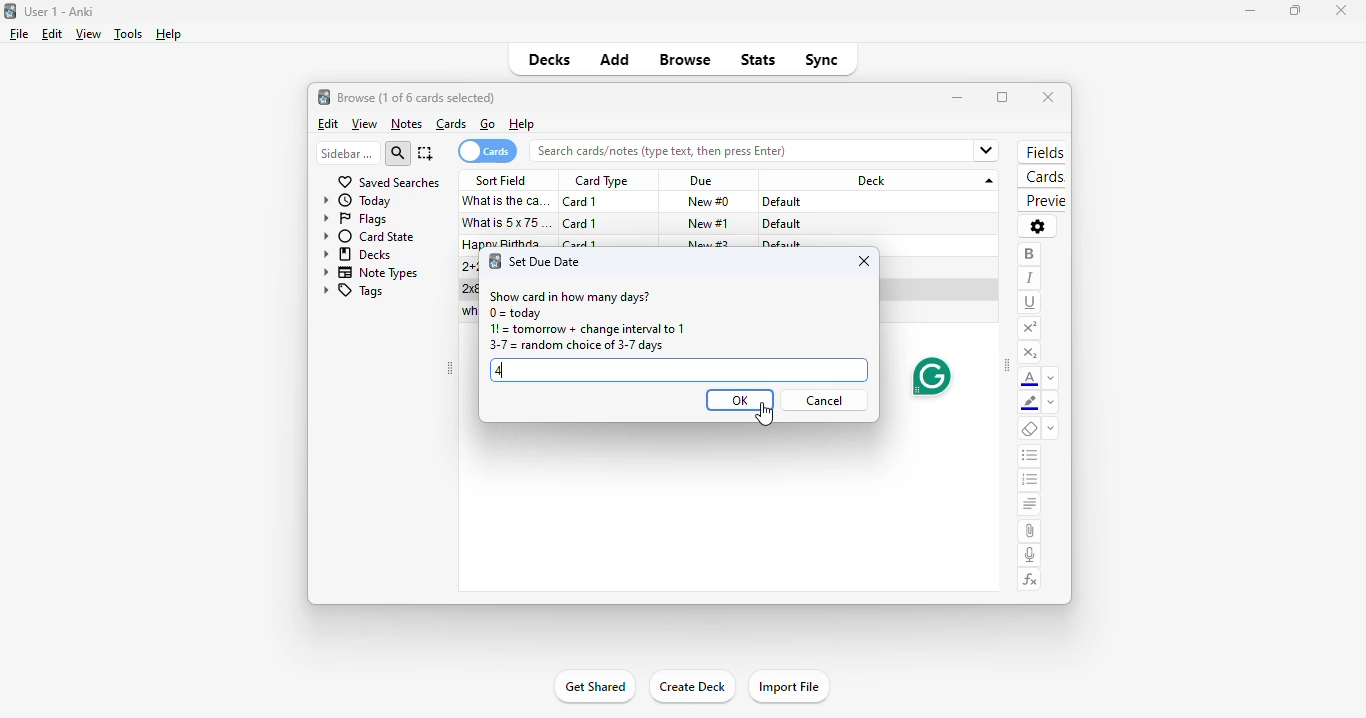 This screenshot has width=1366, height=718. What do you see at coordinates (426, 153) in the screenshot?
I see `select` at bounding box center [426, 153].